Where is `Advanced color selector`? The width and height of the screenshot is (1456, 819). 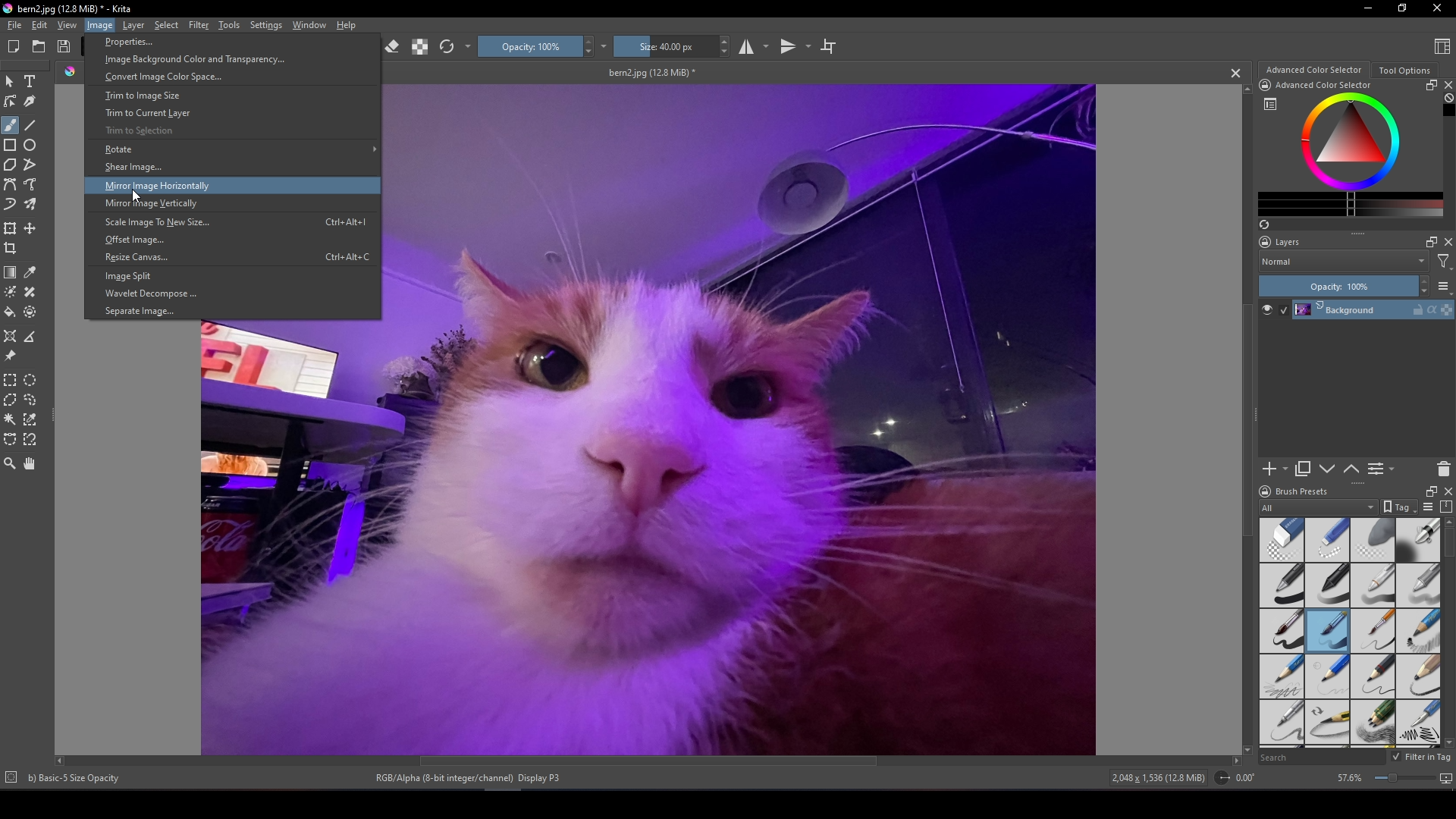 Advanced color selector is located at coordinates (1324, 85).